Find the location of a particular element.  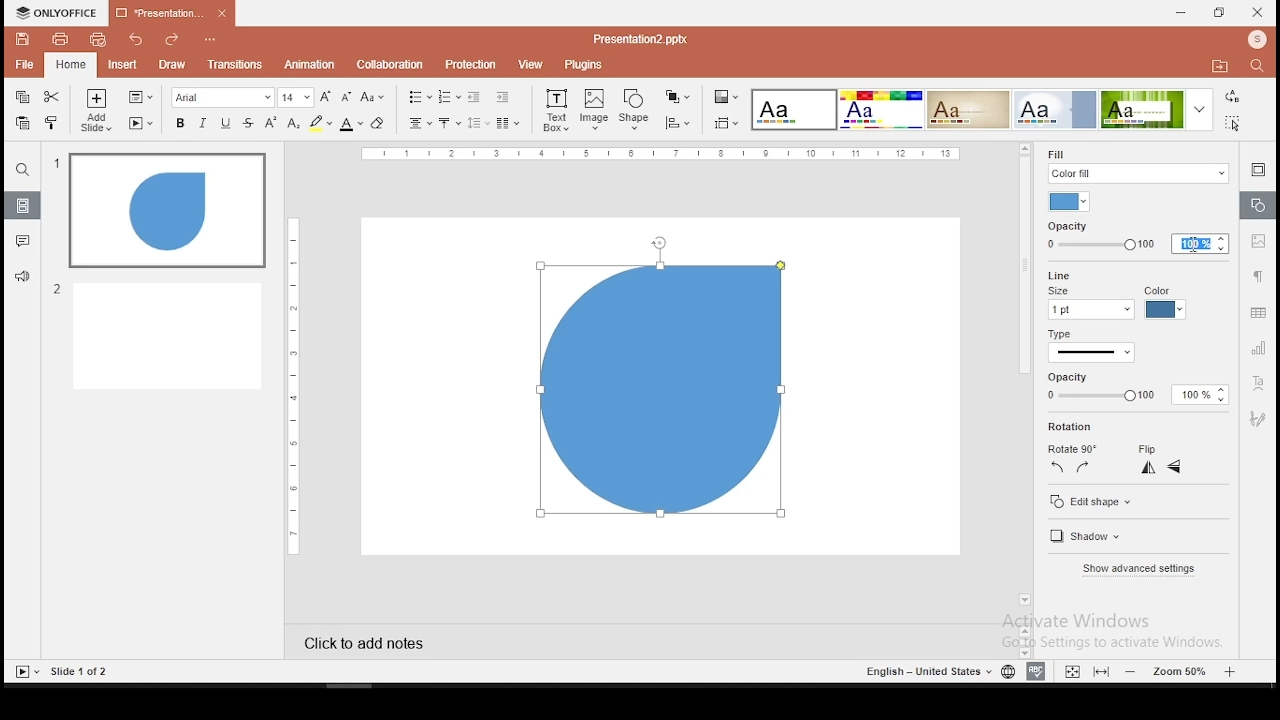

spell check is located at coordinates (1036, 672).